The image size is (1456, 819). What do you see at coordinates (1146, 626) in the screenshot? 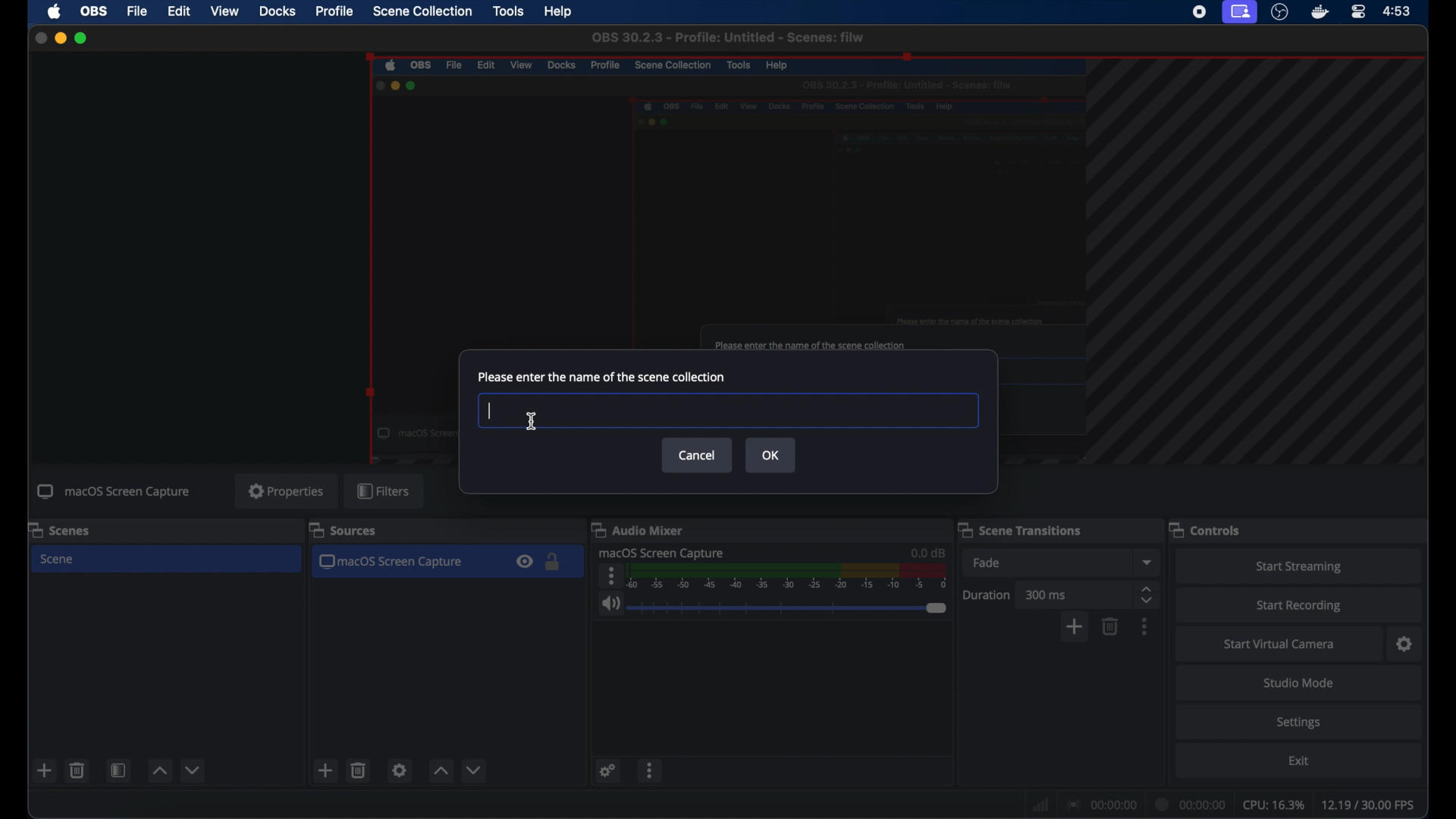
I see `more options` at bounding box center [1146, 626].